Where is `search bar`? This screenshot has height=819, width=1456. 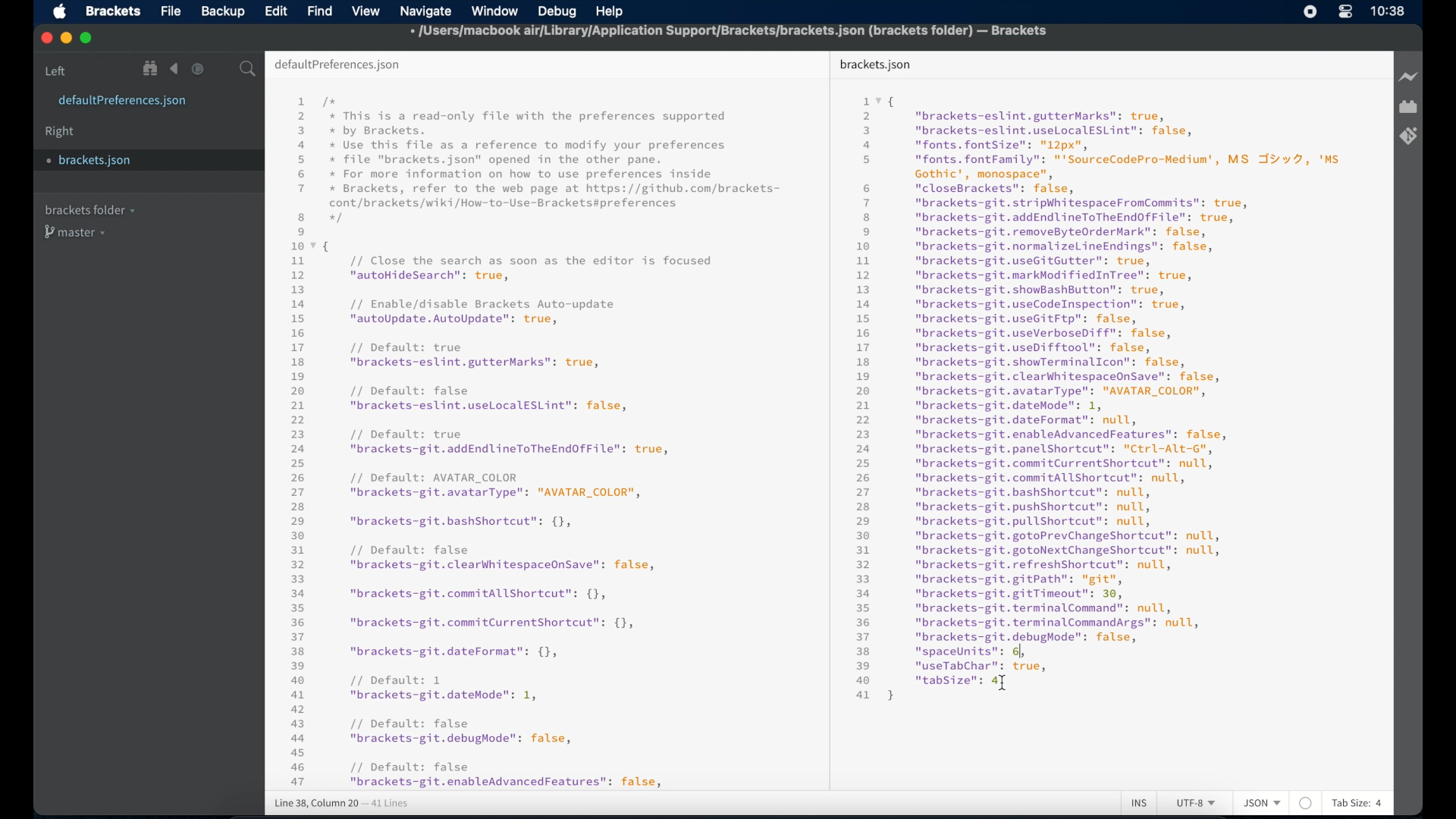
search bar is located at coordinates (248, 70).